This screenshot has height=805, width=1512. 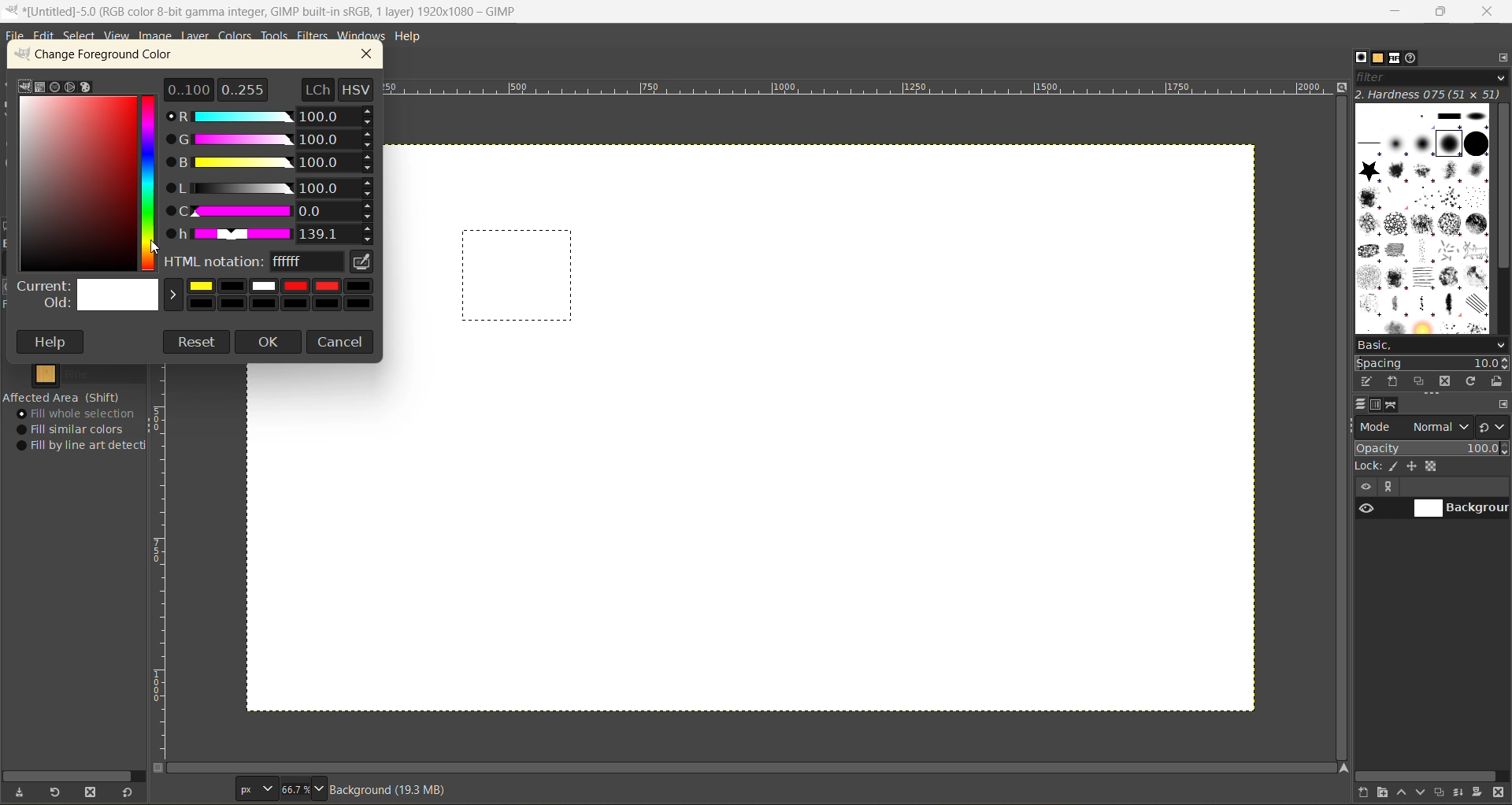 What do you see at coordinates (1498, 383) in the screenshot?
I see `open brush image` at bounding box center [1498, 383].